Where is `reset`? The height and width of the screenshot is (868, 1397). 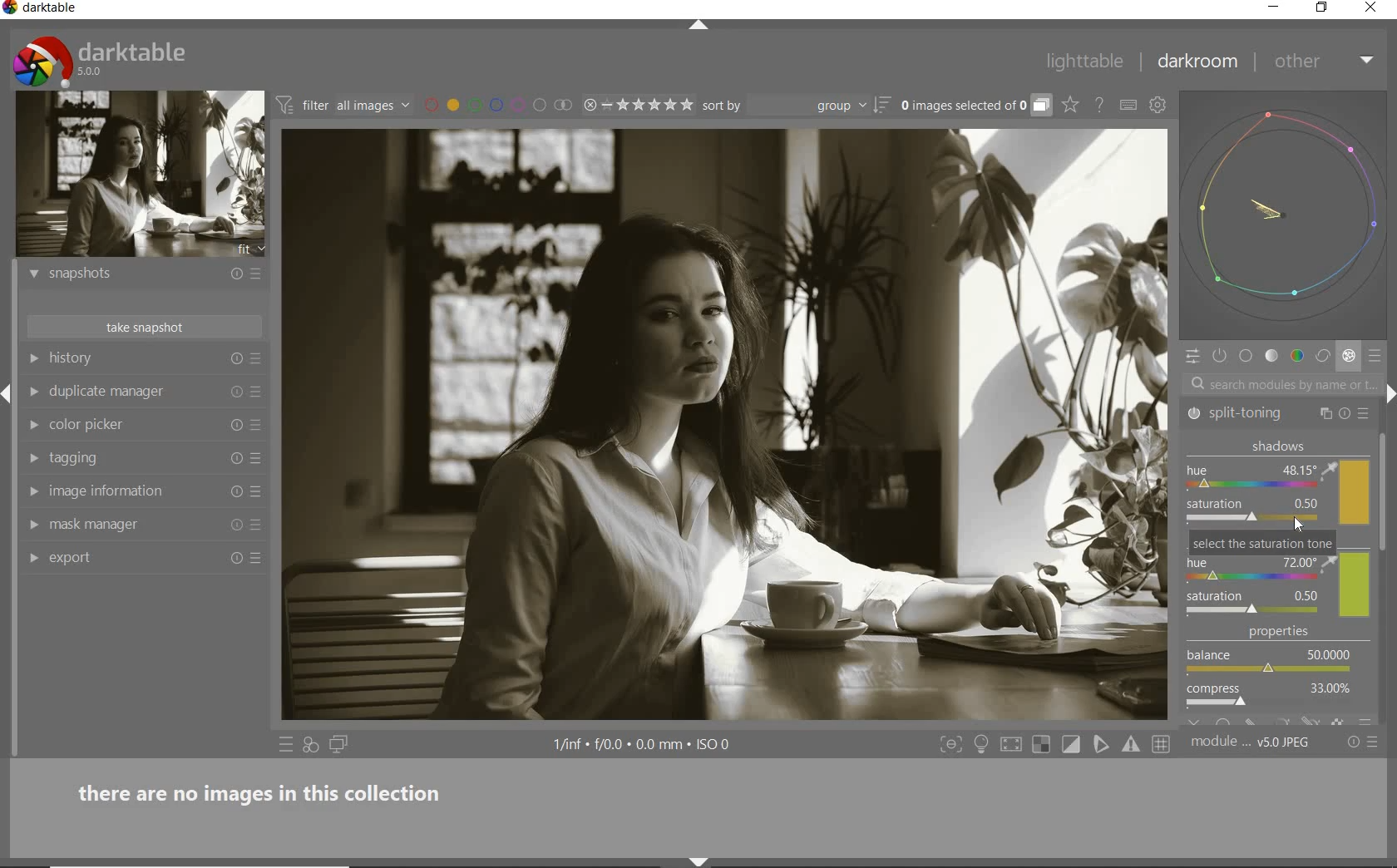 reset is located at coordinates (236, 360).